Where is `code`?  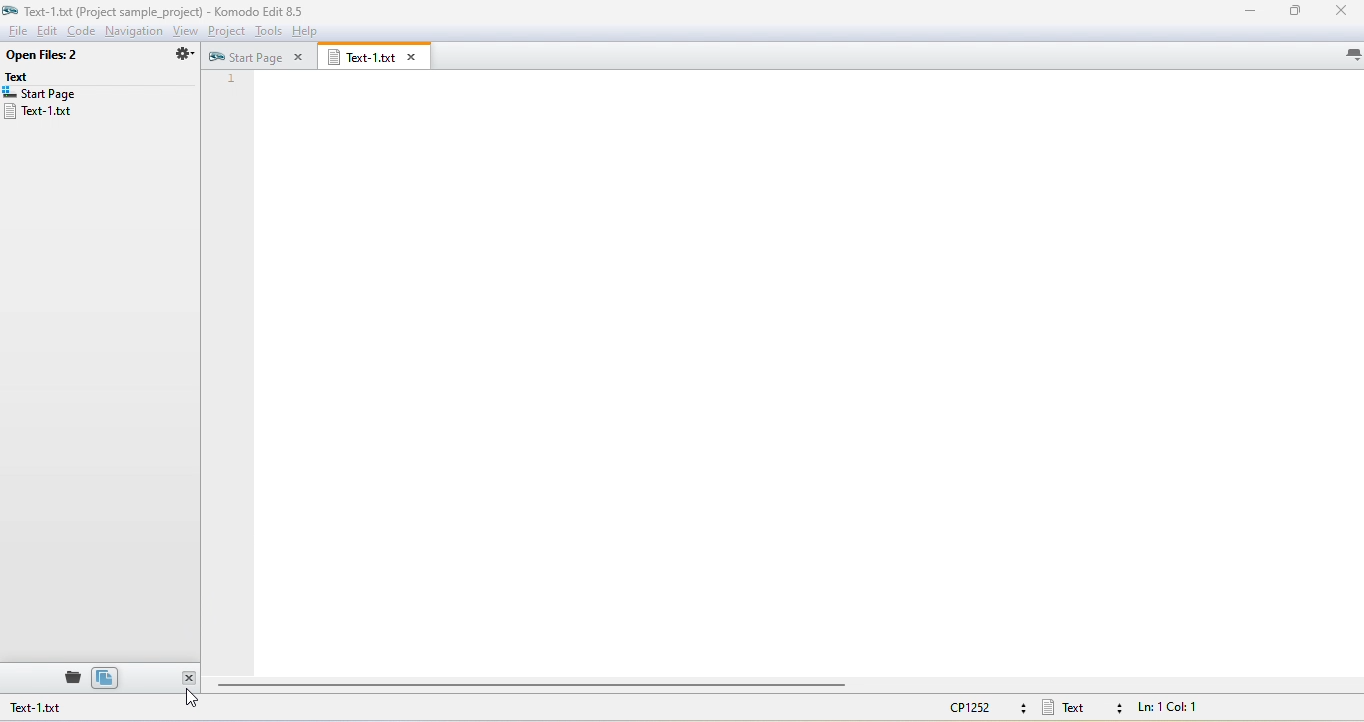
code is located at coordinates (82, 31).